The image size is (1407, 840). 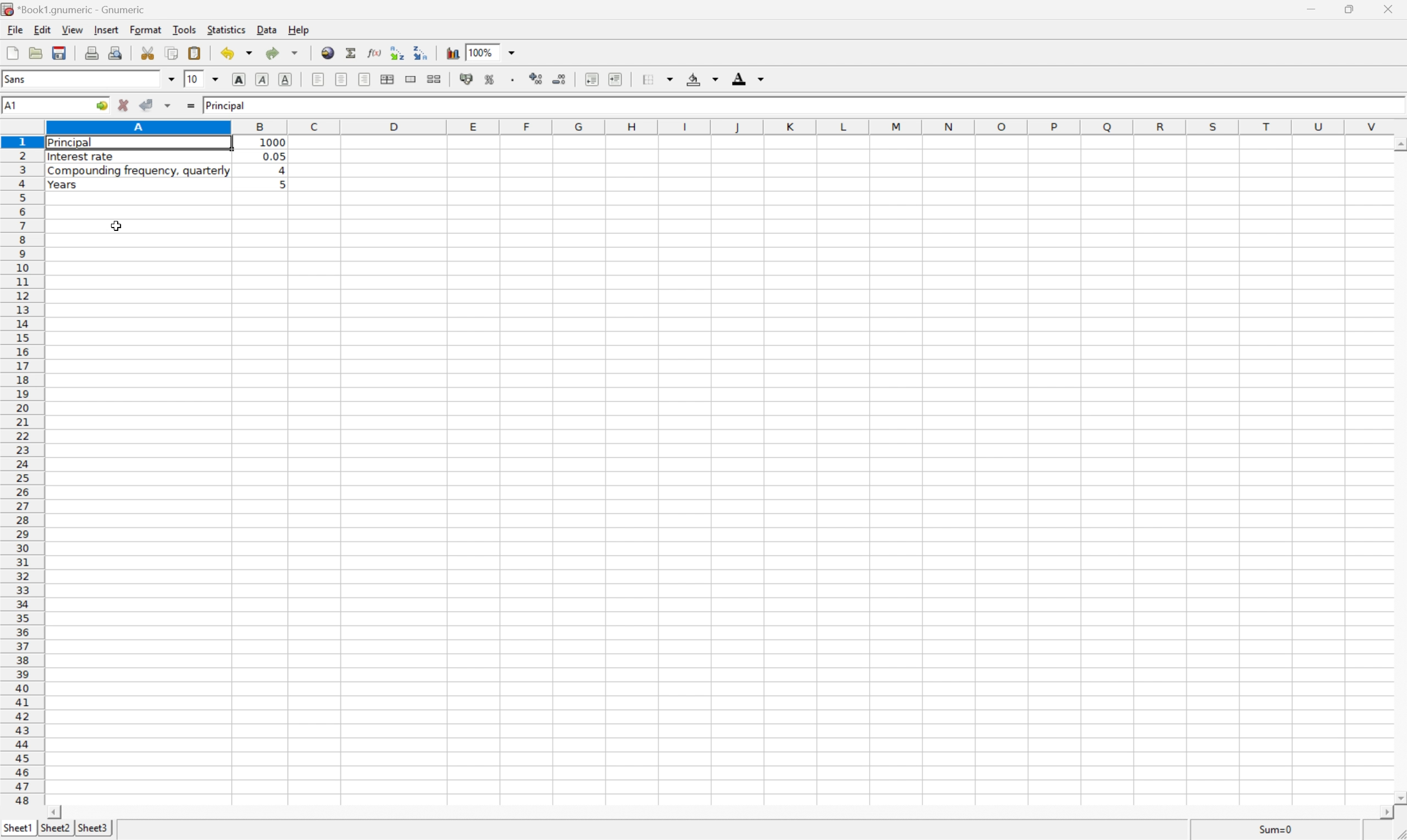 What do you see at coordinates (352, 52) in the screenshot?
I see `sum in current cell` at bounding box center [352, 52].